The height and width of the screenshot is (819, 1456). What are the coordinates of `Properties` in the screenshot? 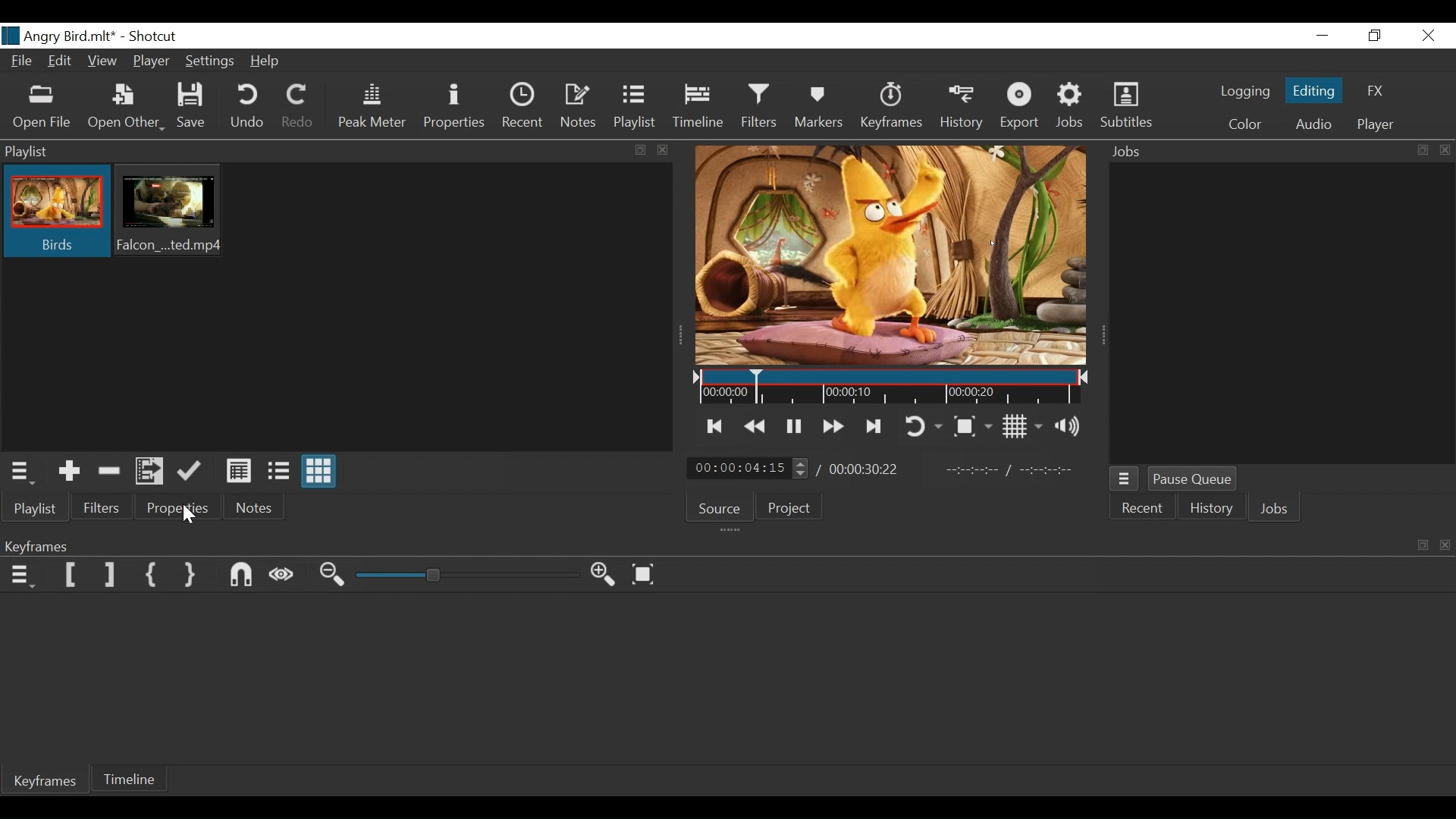 It's located at (175, 507).